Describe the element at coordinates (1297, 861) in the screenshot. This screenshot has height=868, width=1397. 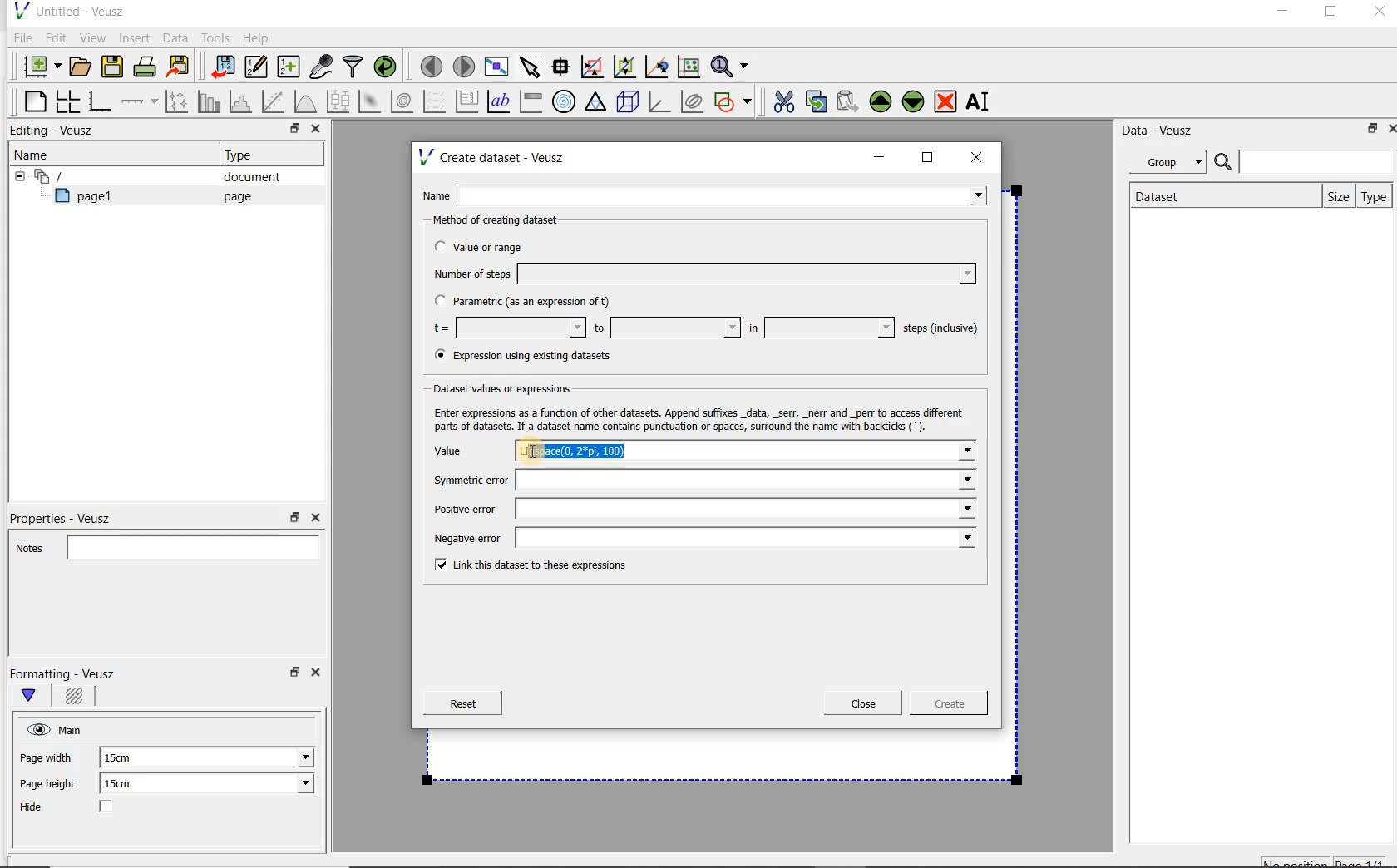
I see `No position` at that location.